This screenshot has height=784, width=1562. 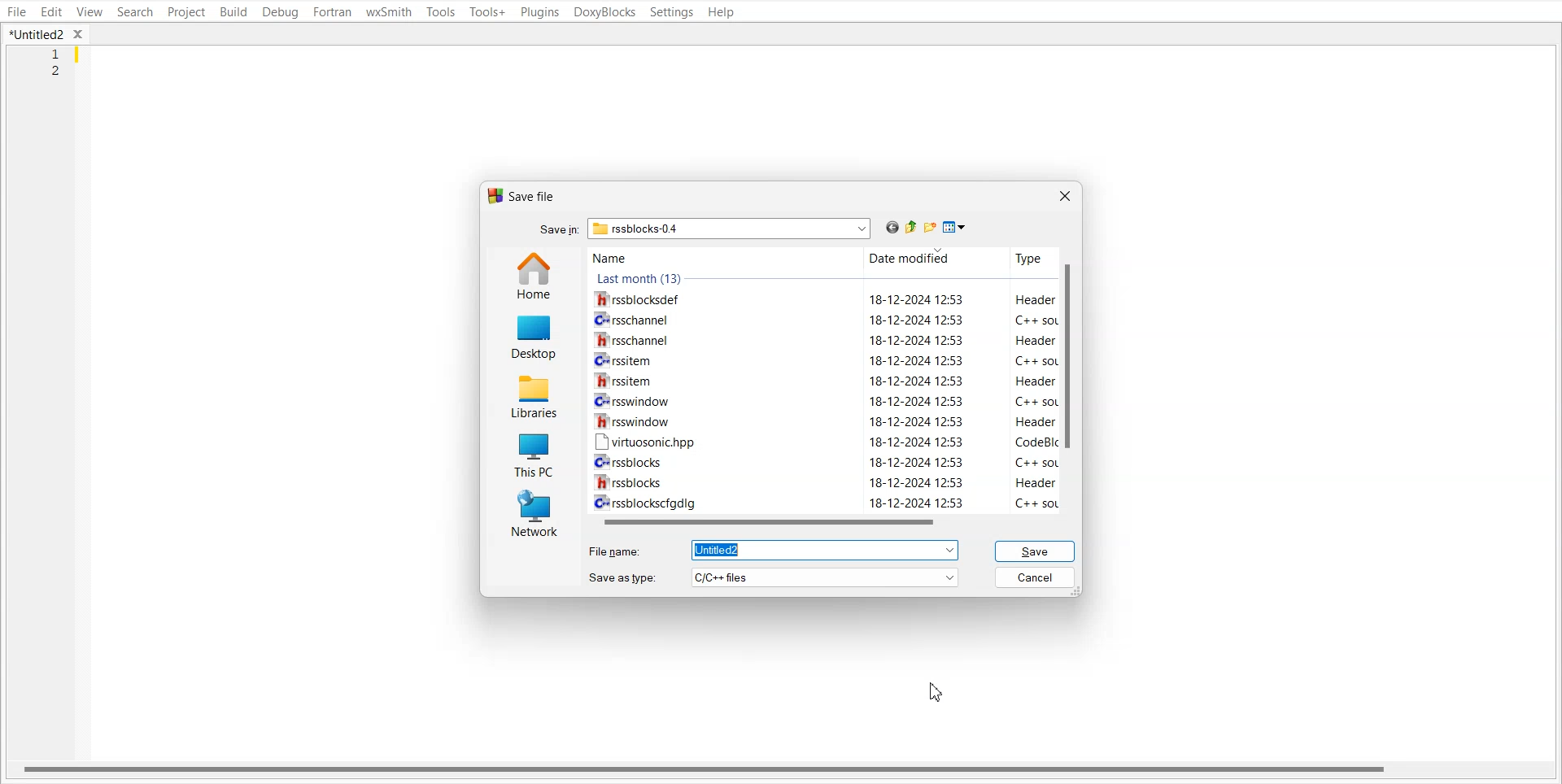 I want to click on Go Back to last file, so click(x=892, y=227).